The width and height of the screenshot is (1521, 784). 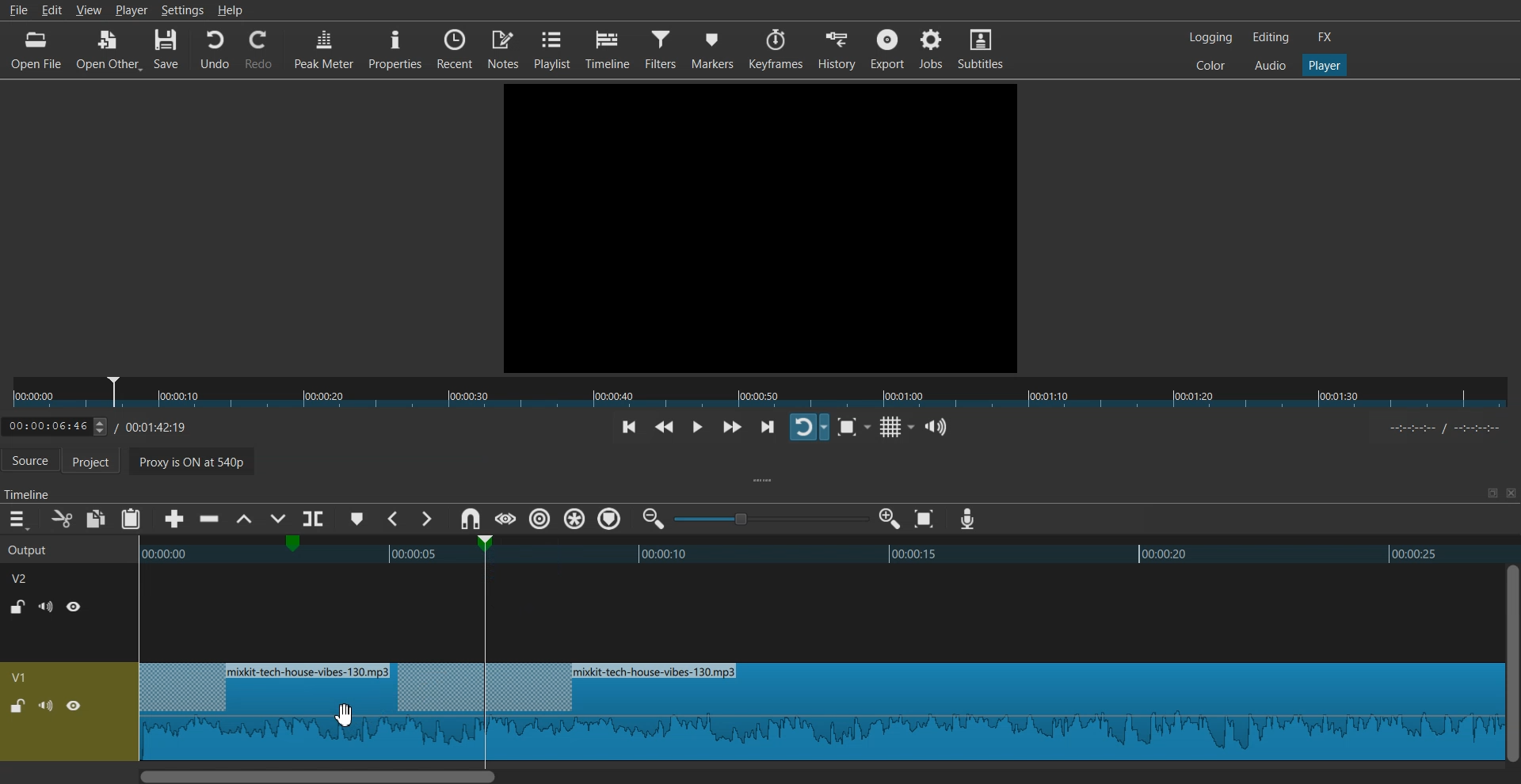 What do you see at coordinates (108, 424) in the screenshot?
I see `Timeline` at bounding box center [108, 424].